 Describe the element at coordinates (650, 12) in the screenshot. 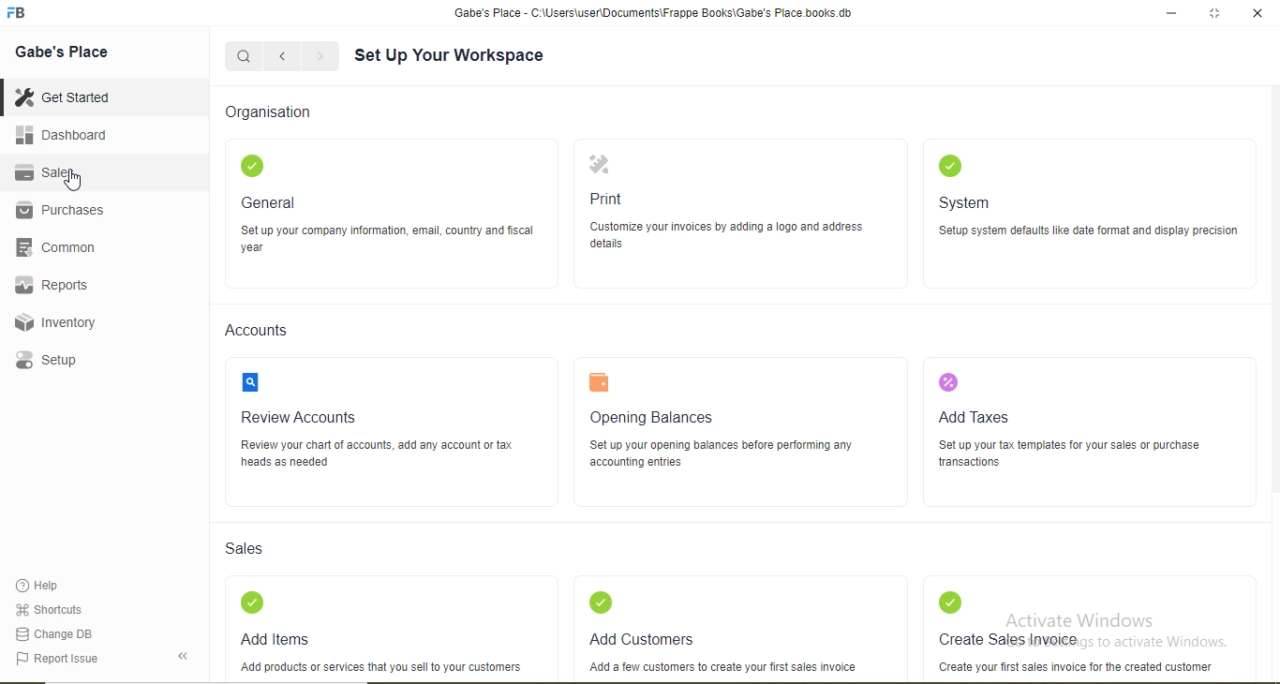

I see `Gabe's Place - C:\Users\useriDocuments Frappe Books\Gabe's Place books. db.` at that location.